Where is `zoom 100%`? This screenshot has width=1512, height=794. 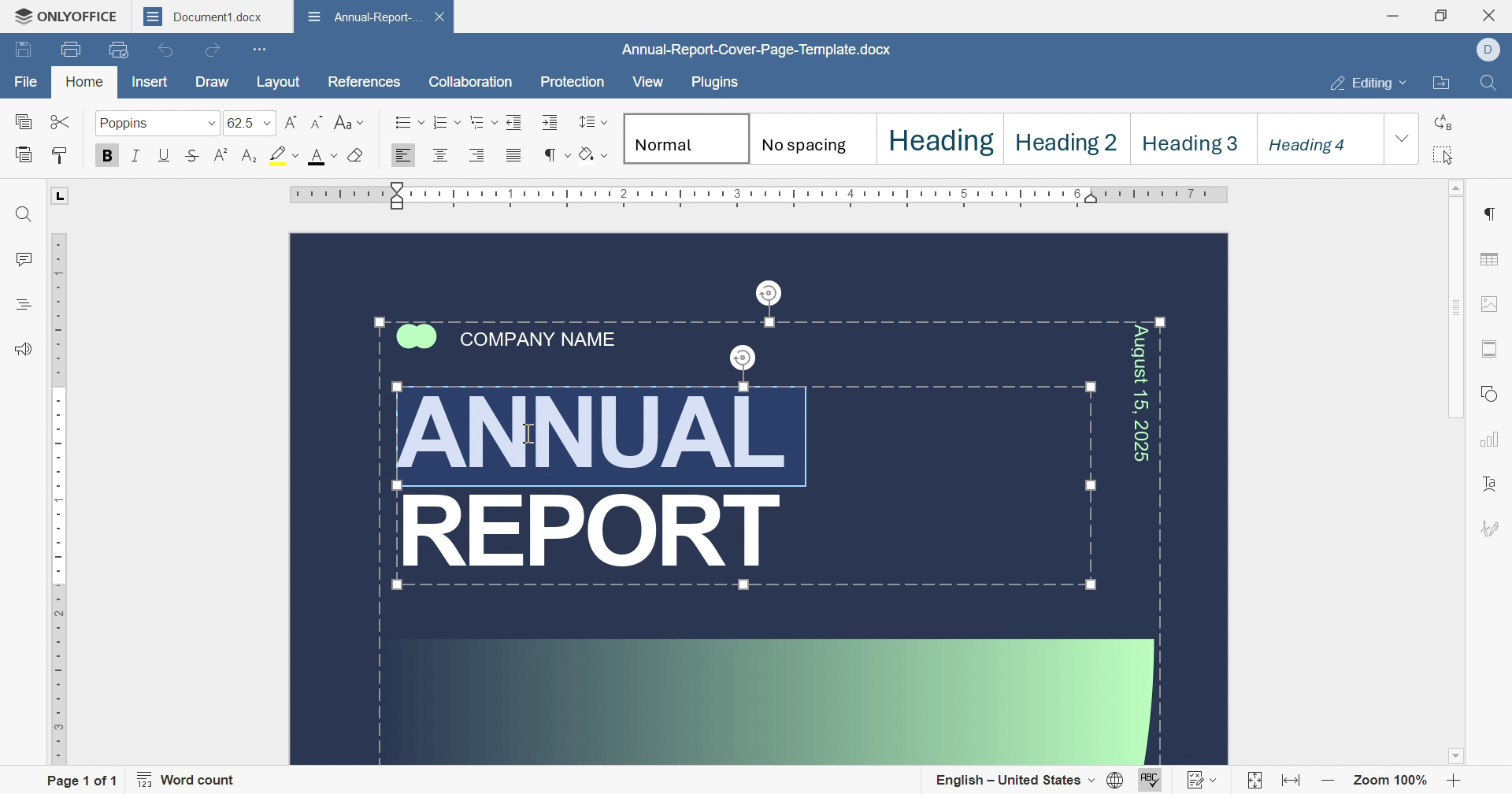 zoom 100% is located at coordinates (1389, 782).